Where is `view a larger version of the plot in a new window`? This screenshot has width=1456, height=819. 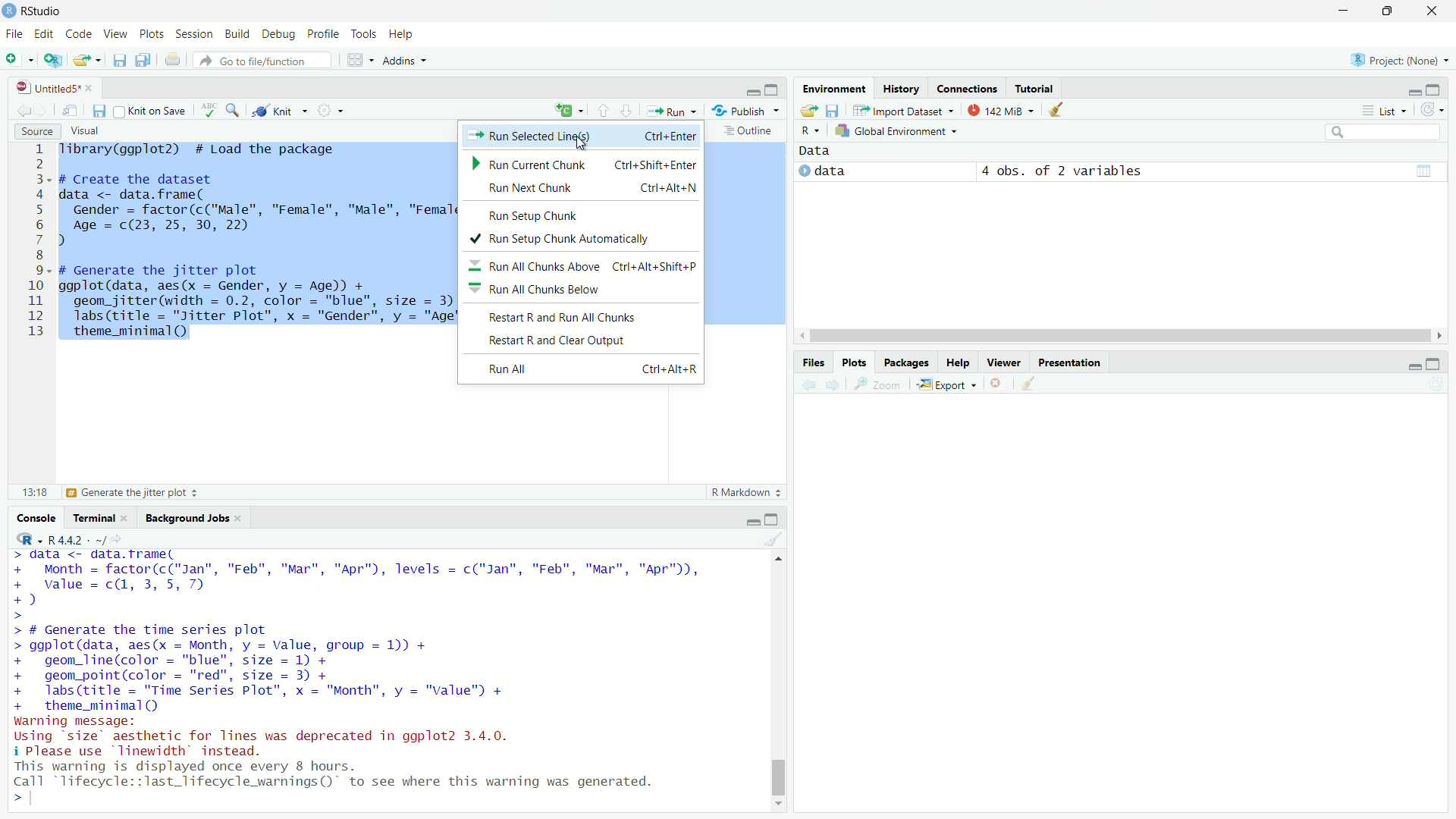
view a larger version of the plot in a new window is located at coordinates (883, 385).